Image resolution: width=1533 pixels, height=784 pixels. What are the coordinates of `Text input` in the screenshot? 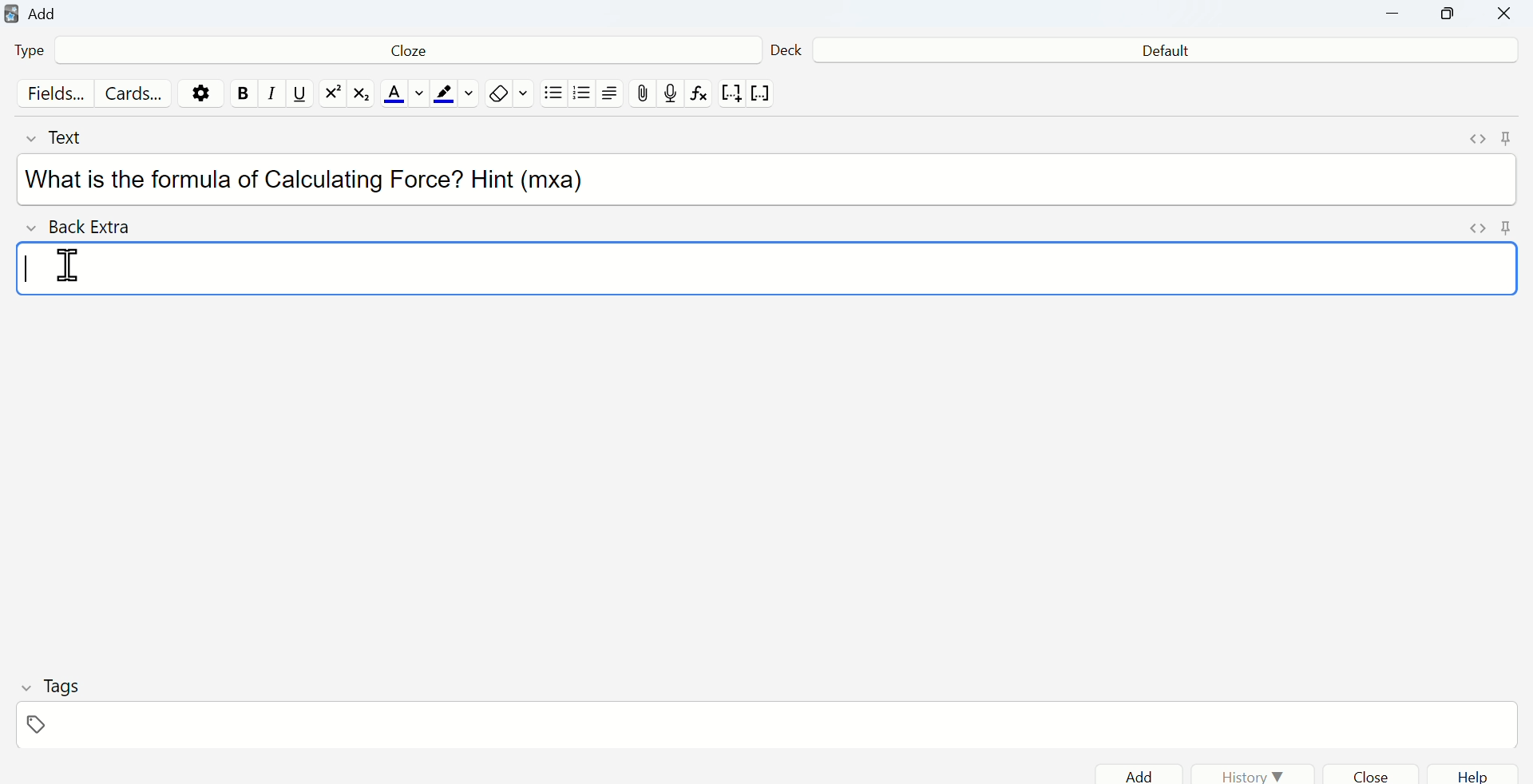 It's located at (740, 267).